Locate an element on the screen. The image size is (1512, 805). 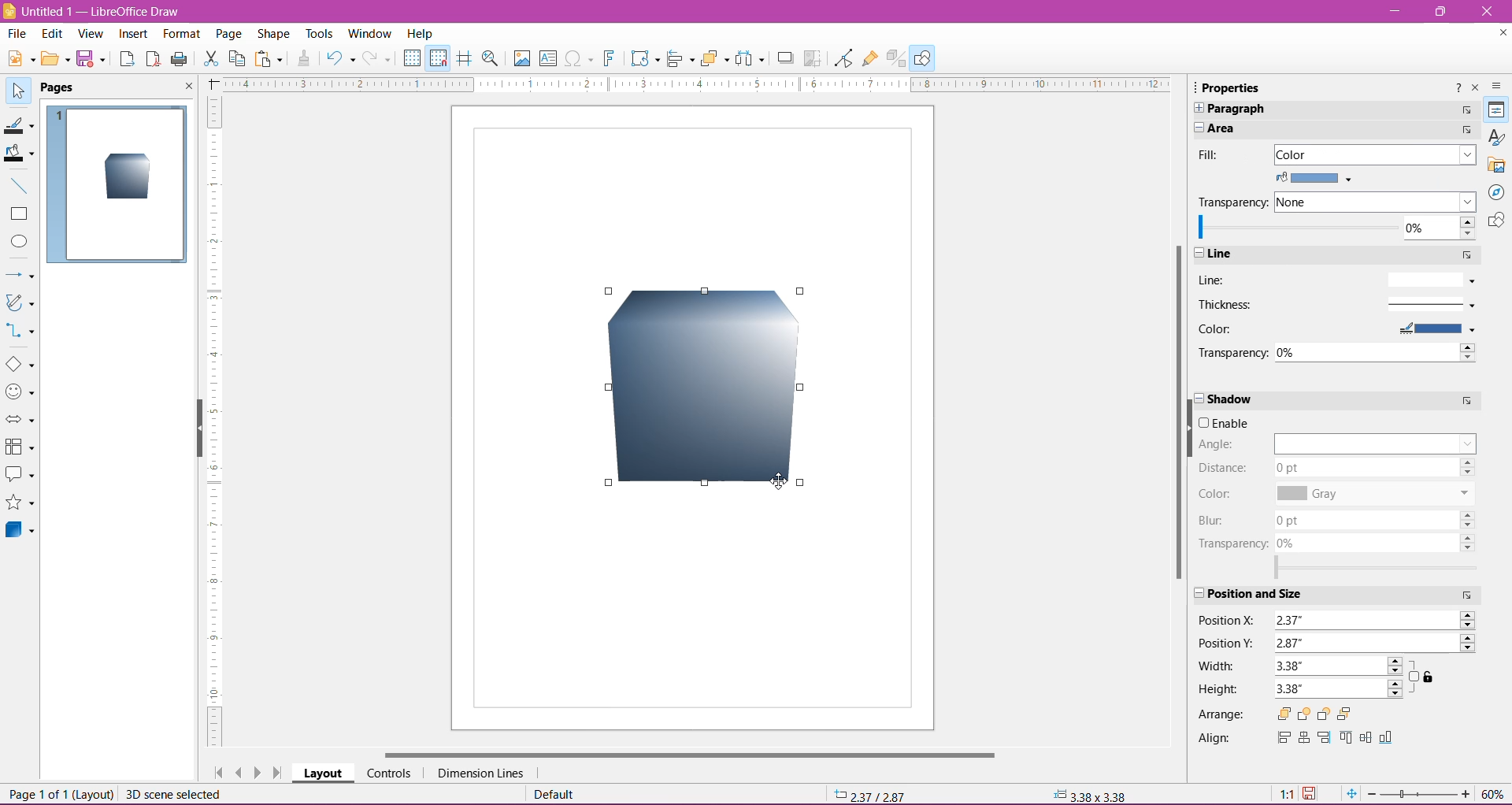
Fit Page to current window is located at coordinates (1351, 794).